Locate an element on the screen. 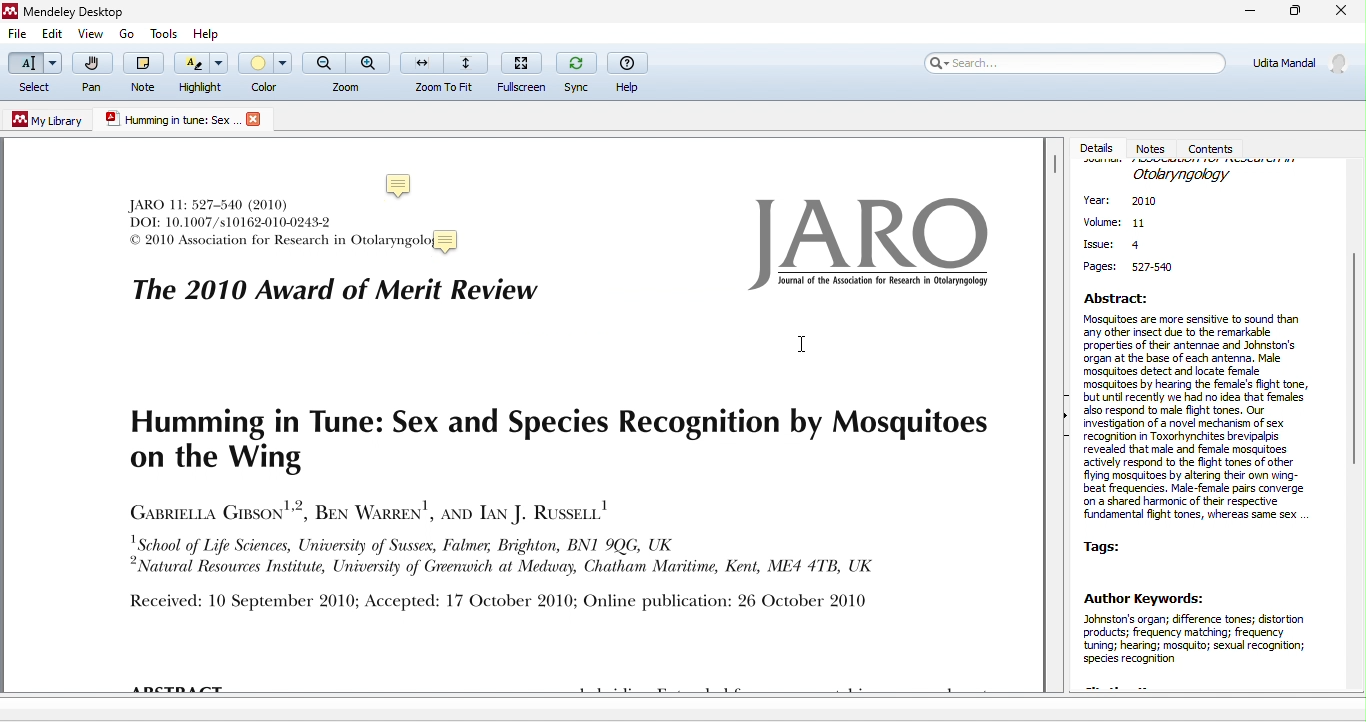  go is located at coordinates (125, 33).